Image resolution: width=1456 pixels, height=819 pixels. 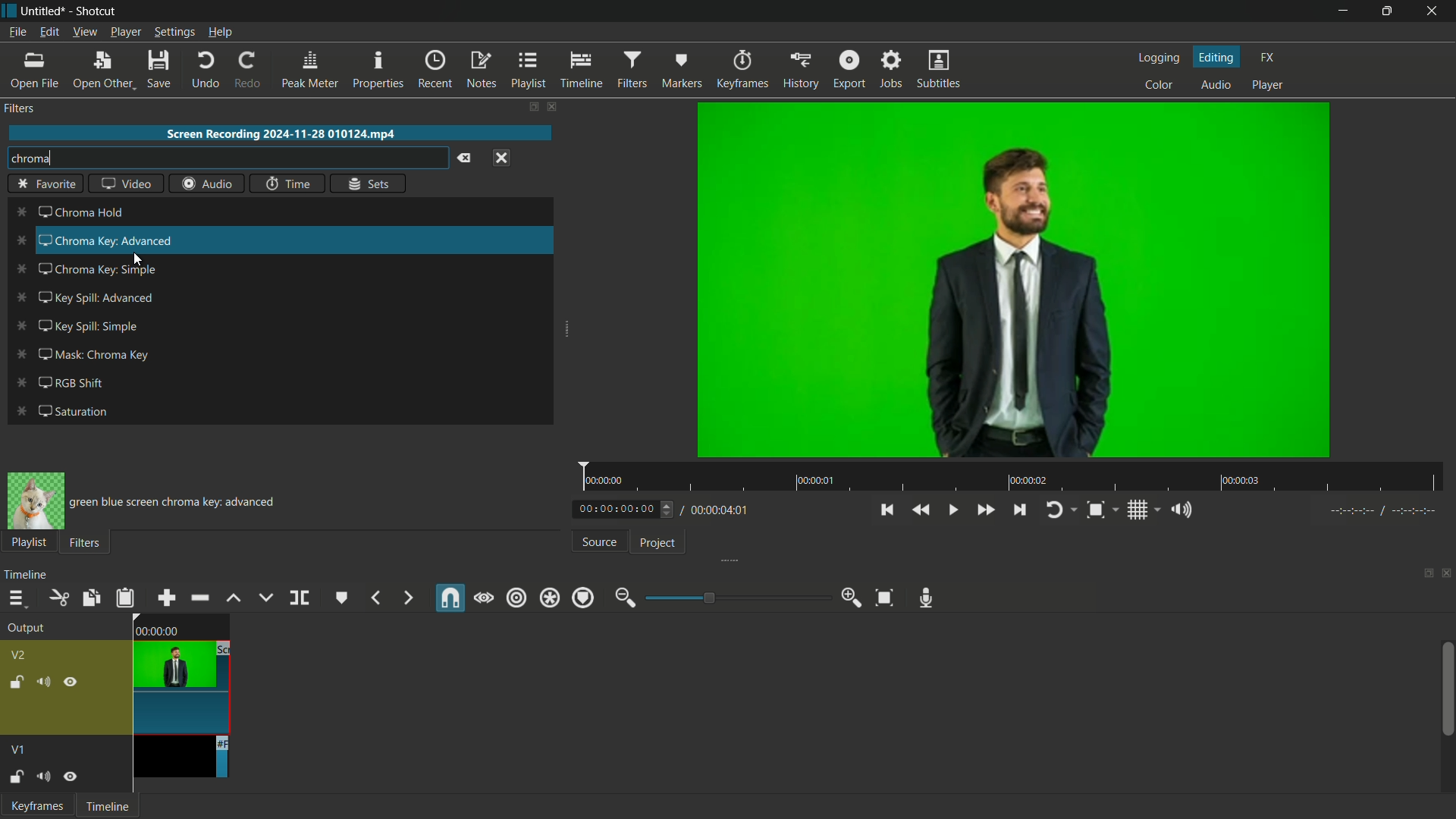 What do you see at coordinates (46, 184) in the screenshot?
I see `favorite` at bounding box center [46, 184].